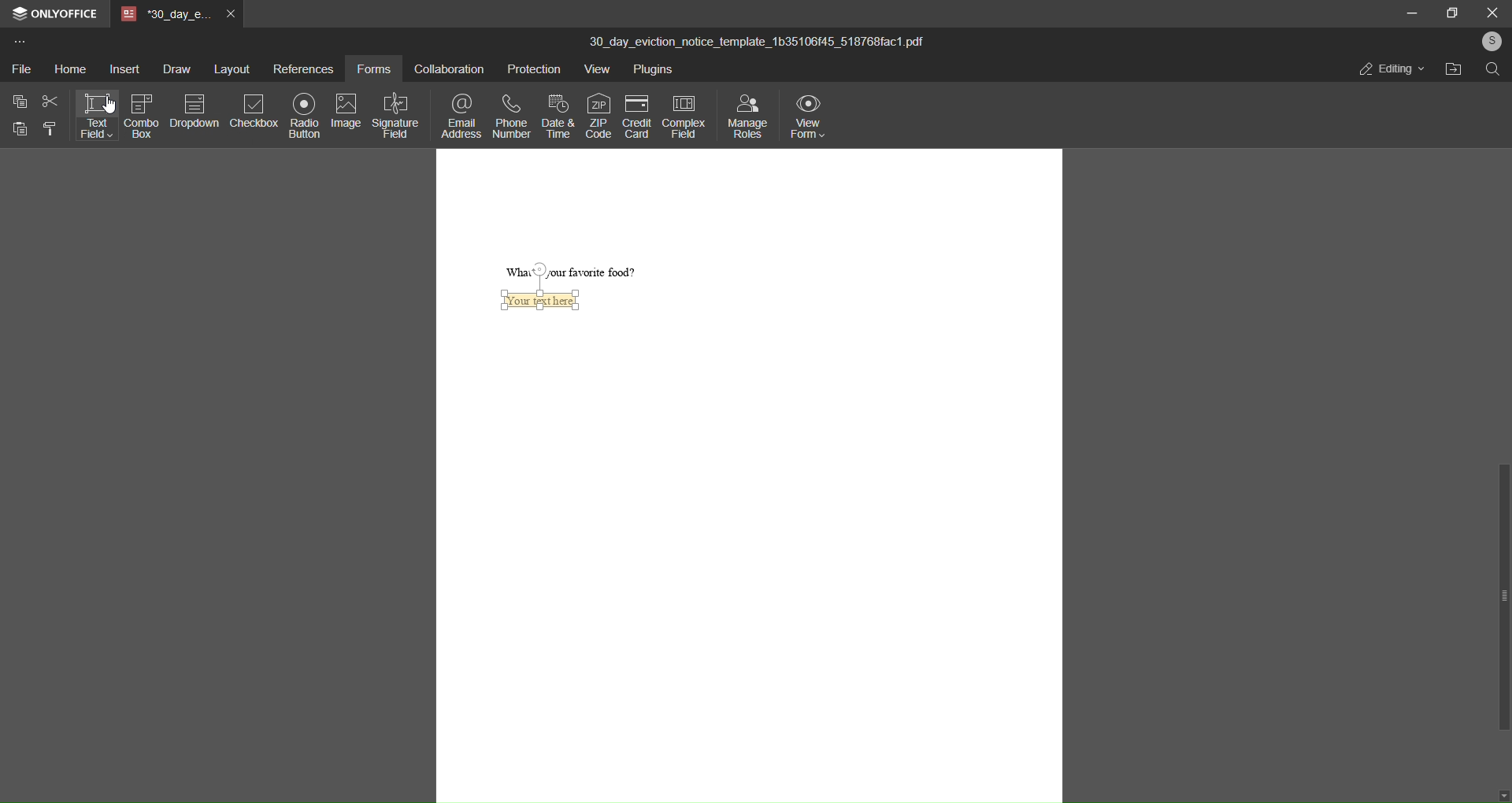  Describe the element at coordinates (633, 117) in the screenshot. I see `credit card` at that location.